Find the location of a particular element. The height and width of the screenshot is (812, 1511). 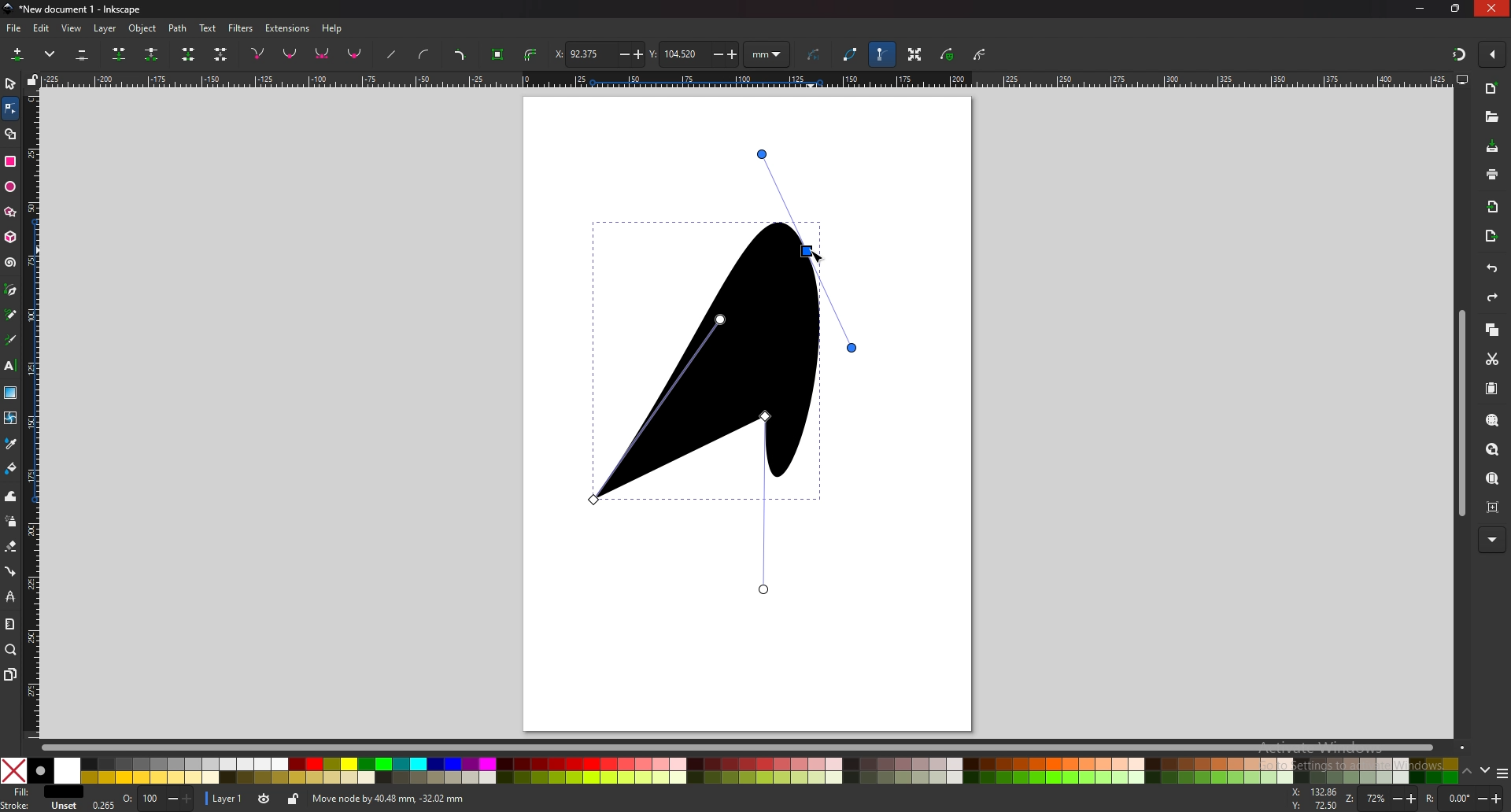

mesh is located at coordinates (11, 417).